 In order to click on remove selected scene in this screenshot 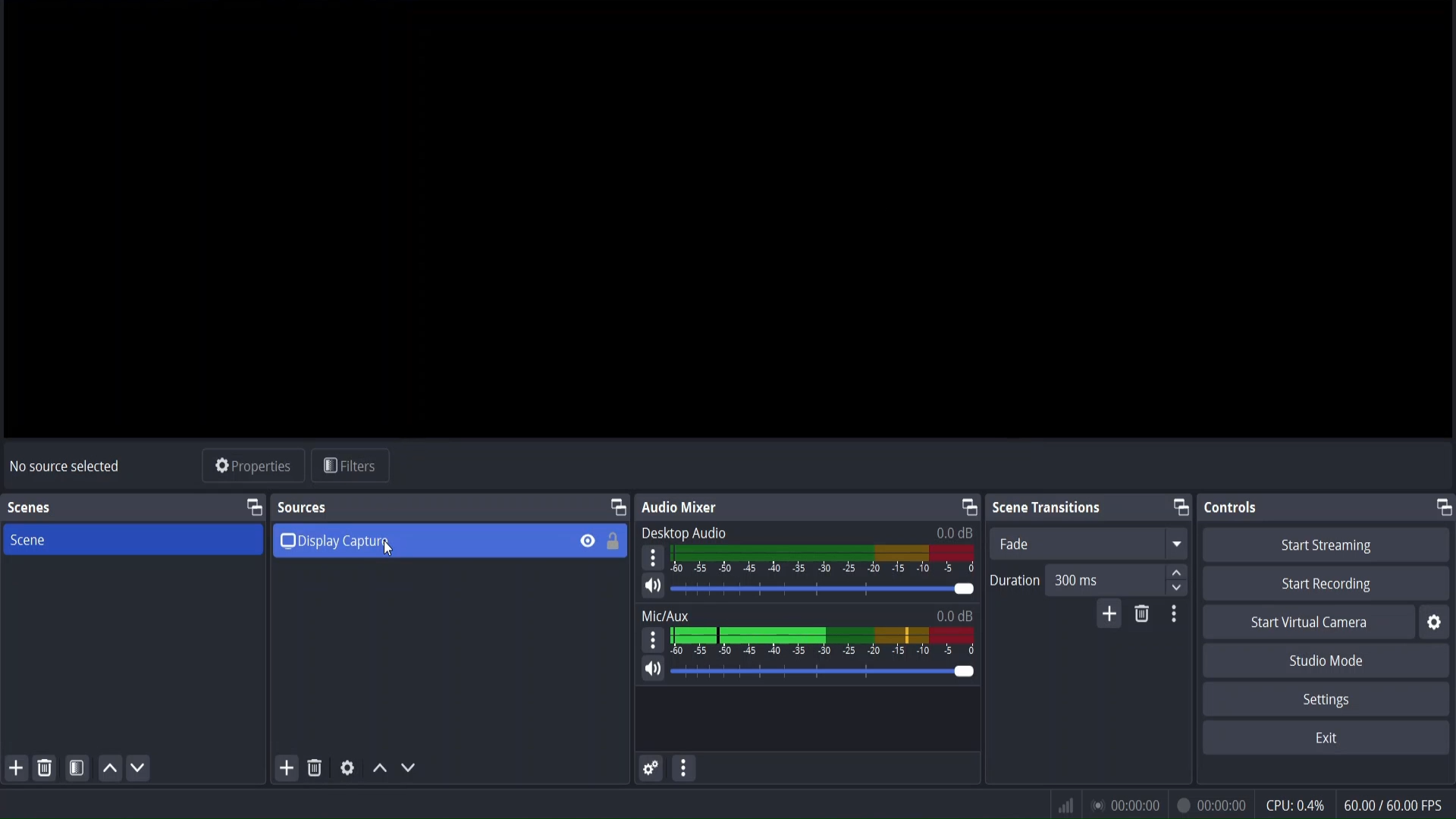, I will do `click(46, 767)`.